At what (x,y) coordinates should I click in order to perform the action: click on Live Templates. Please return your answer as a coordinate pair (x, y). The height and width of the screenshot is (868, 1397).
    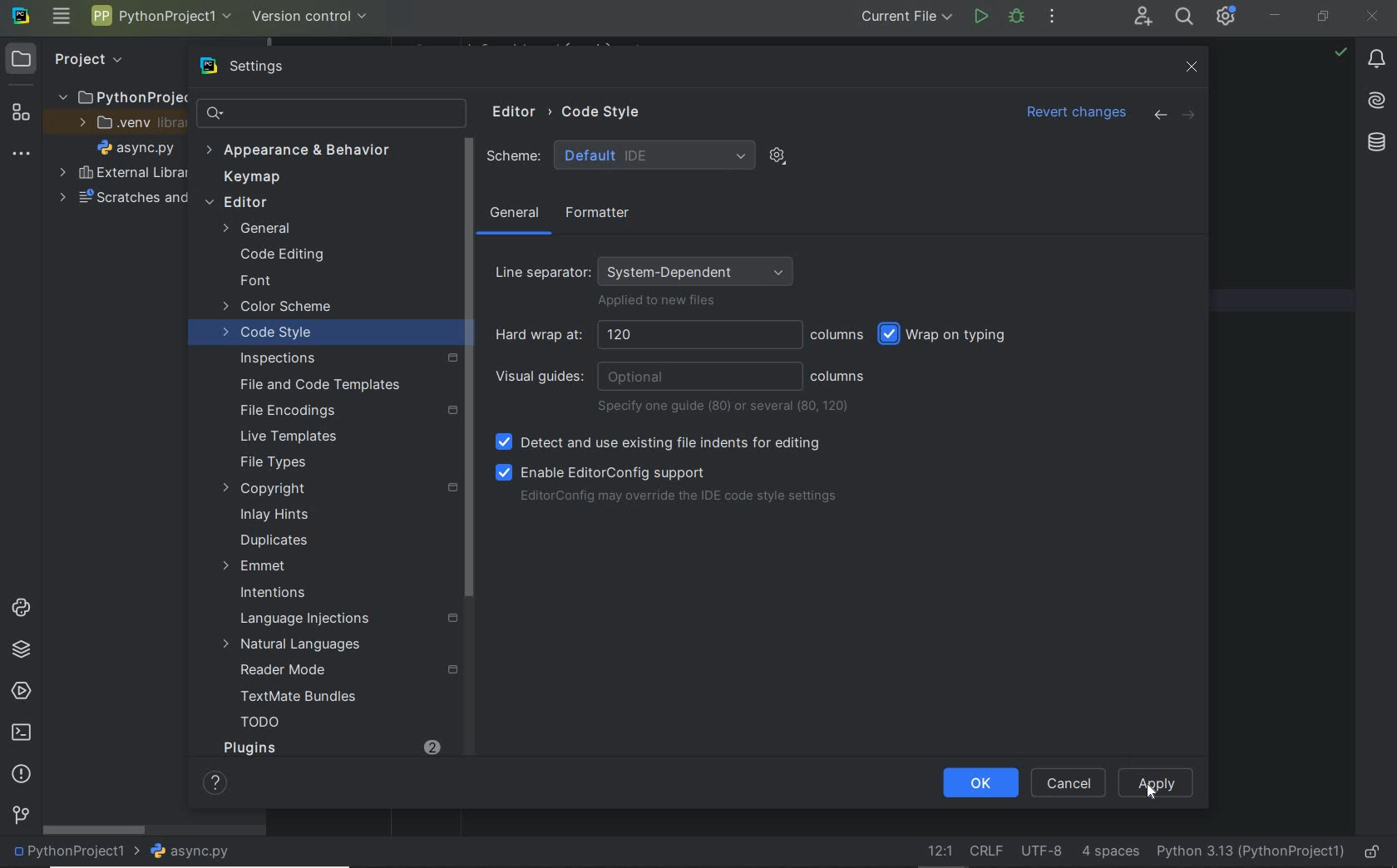
    Looking at the image, I should click on (286, 437).